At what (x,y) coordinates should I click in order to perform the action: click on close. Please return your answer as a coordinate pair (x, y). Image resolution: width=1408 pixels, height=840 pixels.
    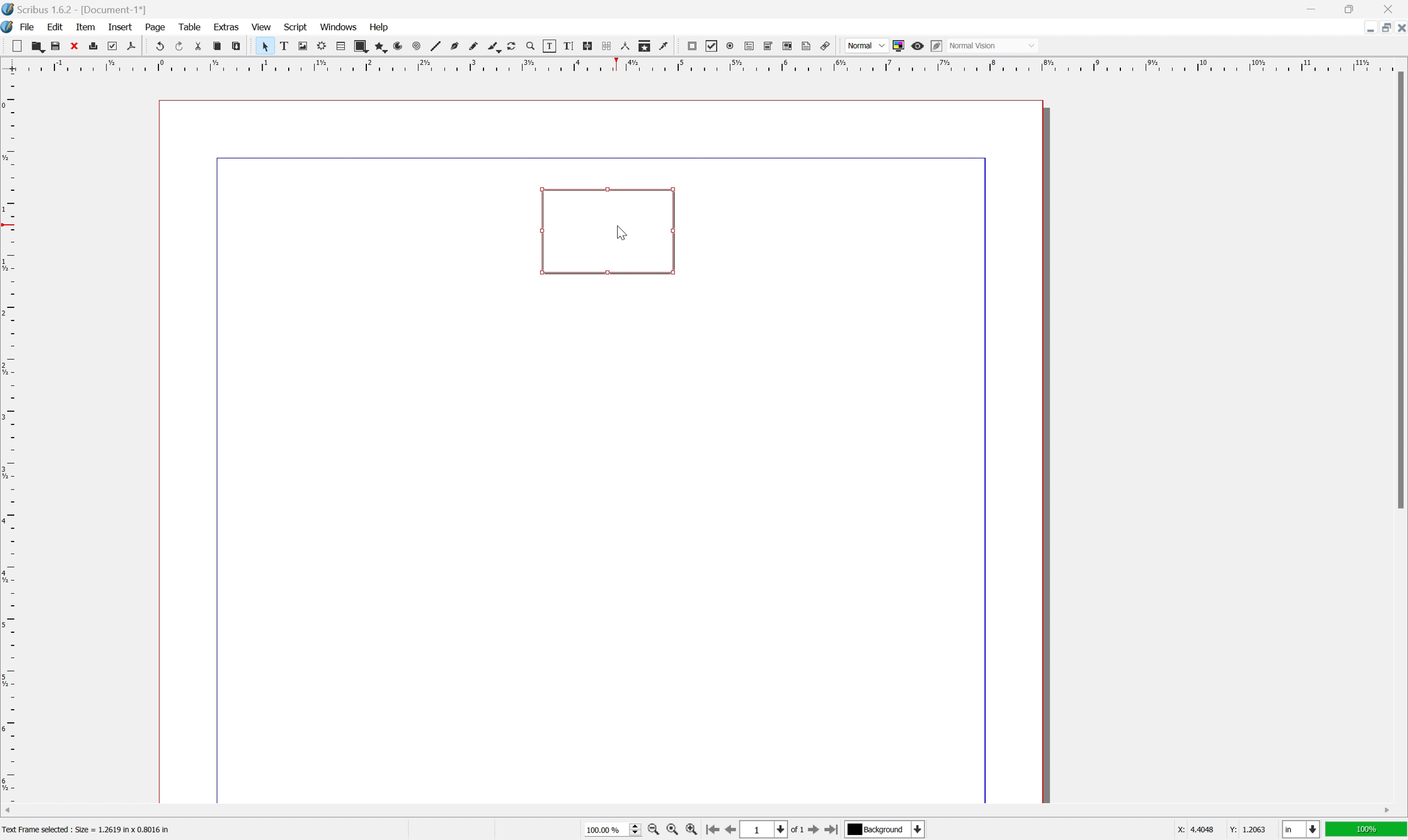
    Looking at the image, I should click on (1399, 28).